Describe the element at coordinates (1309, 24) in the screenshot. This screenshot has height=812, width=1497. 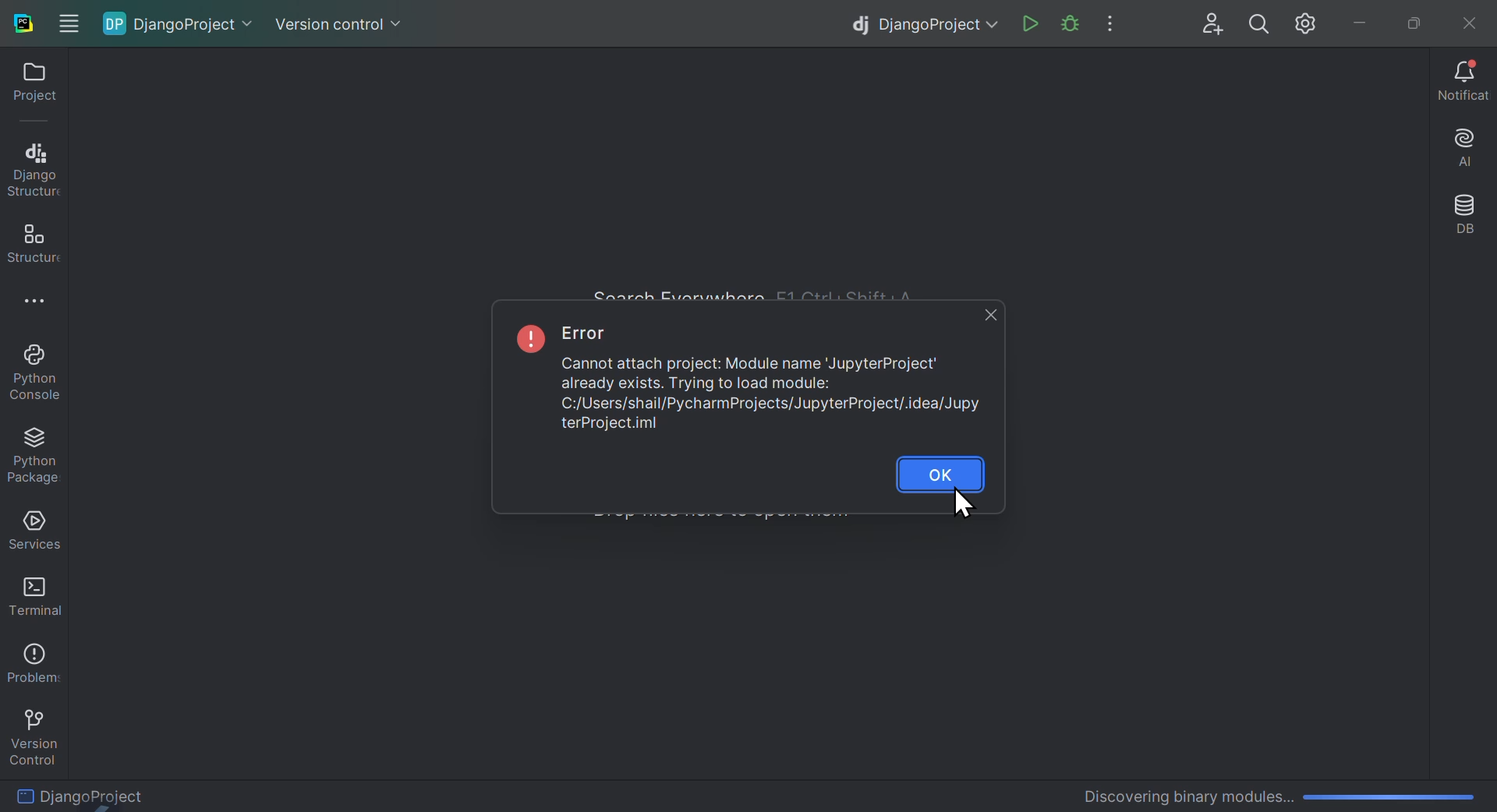
I see `Settings` at that location.